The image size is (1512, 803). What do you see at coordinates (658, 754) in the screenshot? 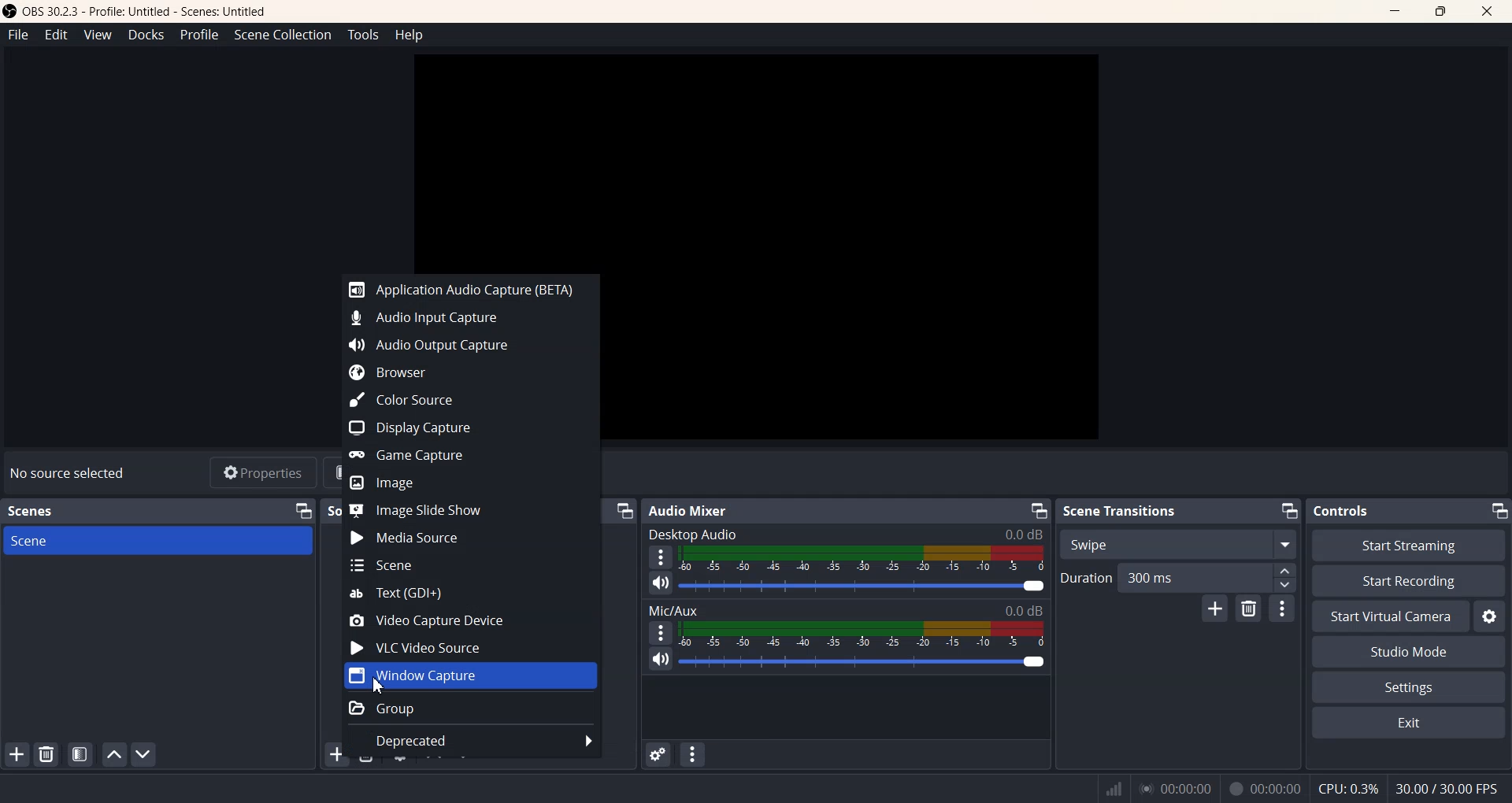
I see `Advance Audio properties` at bounding box center [658, 754].